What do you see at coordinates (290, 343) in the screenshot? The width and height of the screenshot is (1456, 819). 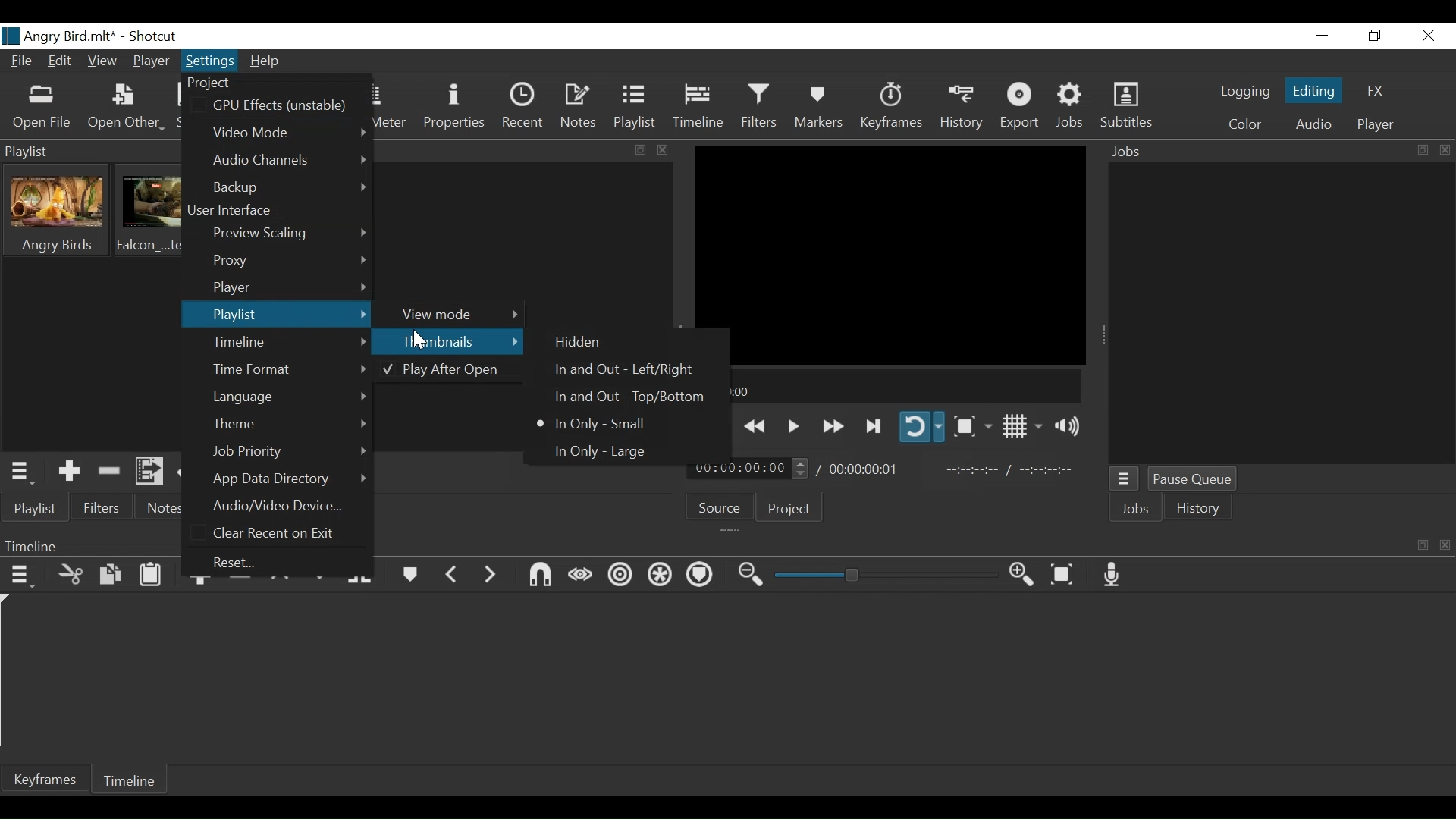 I see `Timeline` at bounding box center [290, 343].